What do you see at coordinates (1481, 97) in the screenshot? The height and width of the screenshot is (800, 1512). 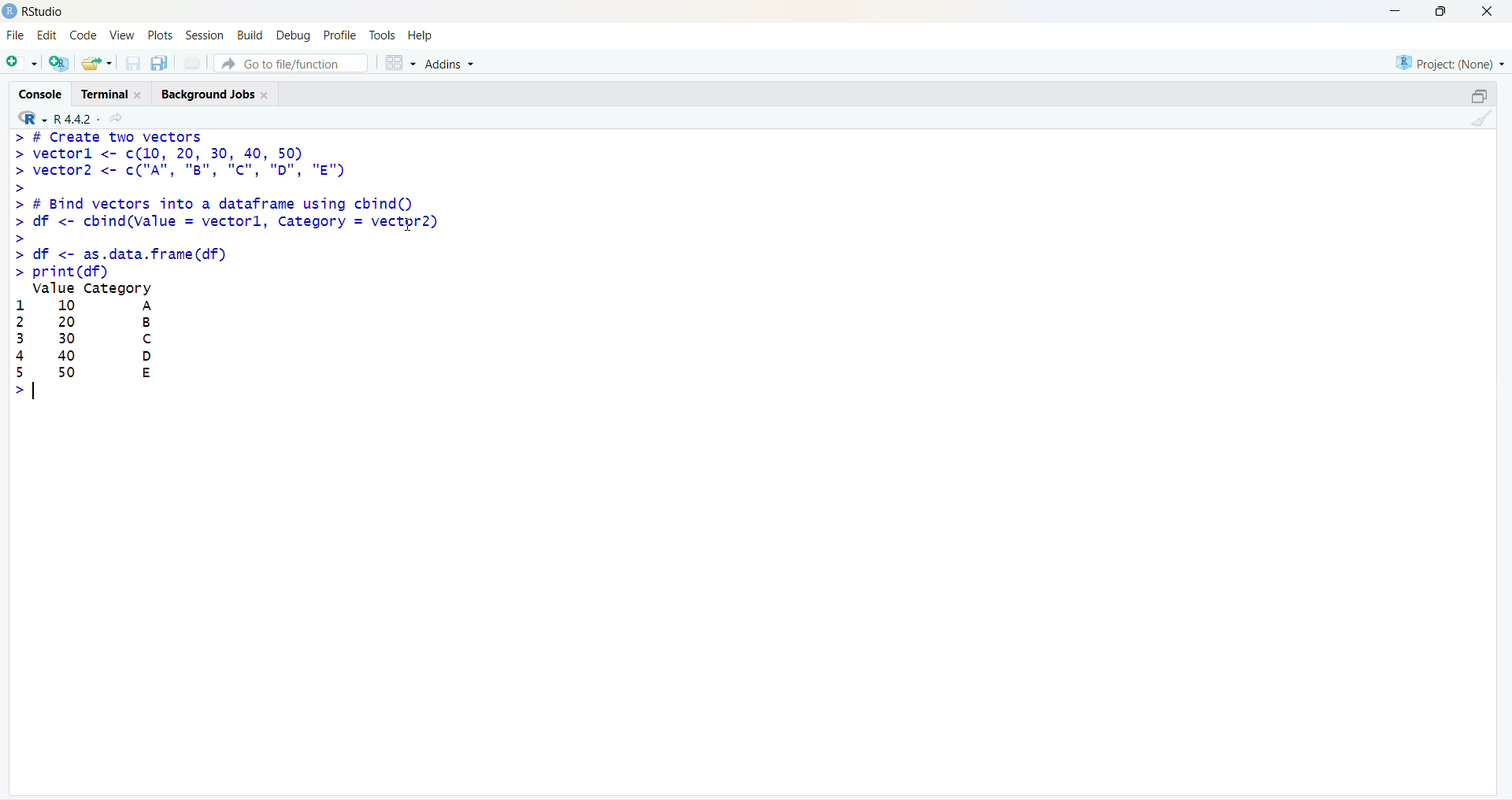 I see `minimize` at bounding box center [1481, 97].